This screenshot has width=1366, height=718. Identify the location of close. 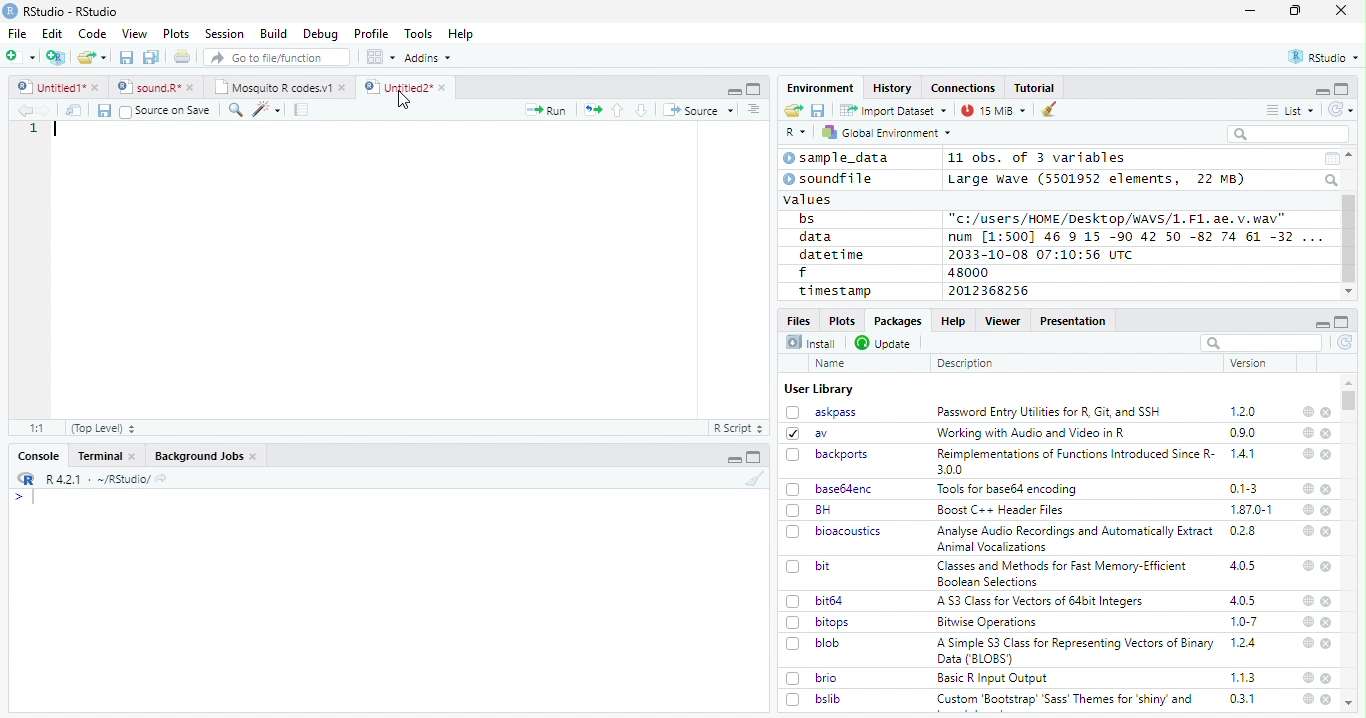
(1326, 699).